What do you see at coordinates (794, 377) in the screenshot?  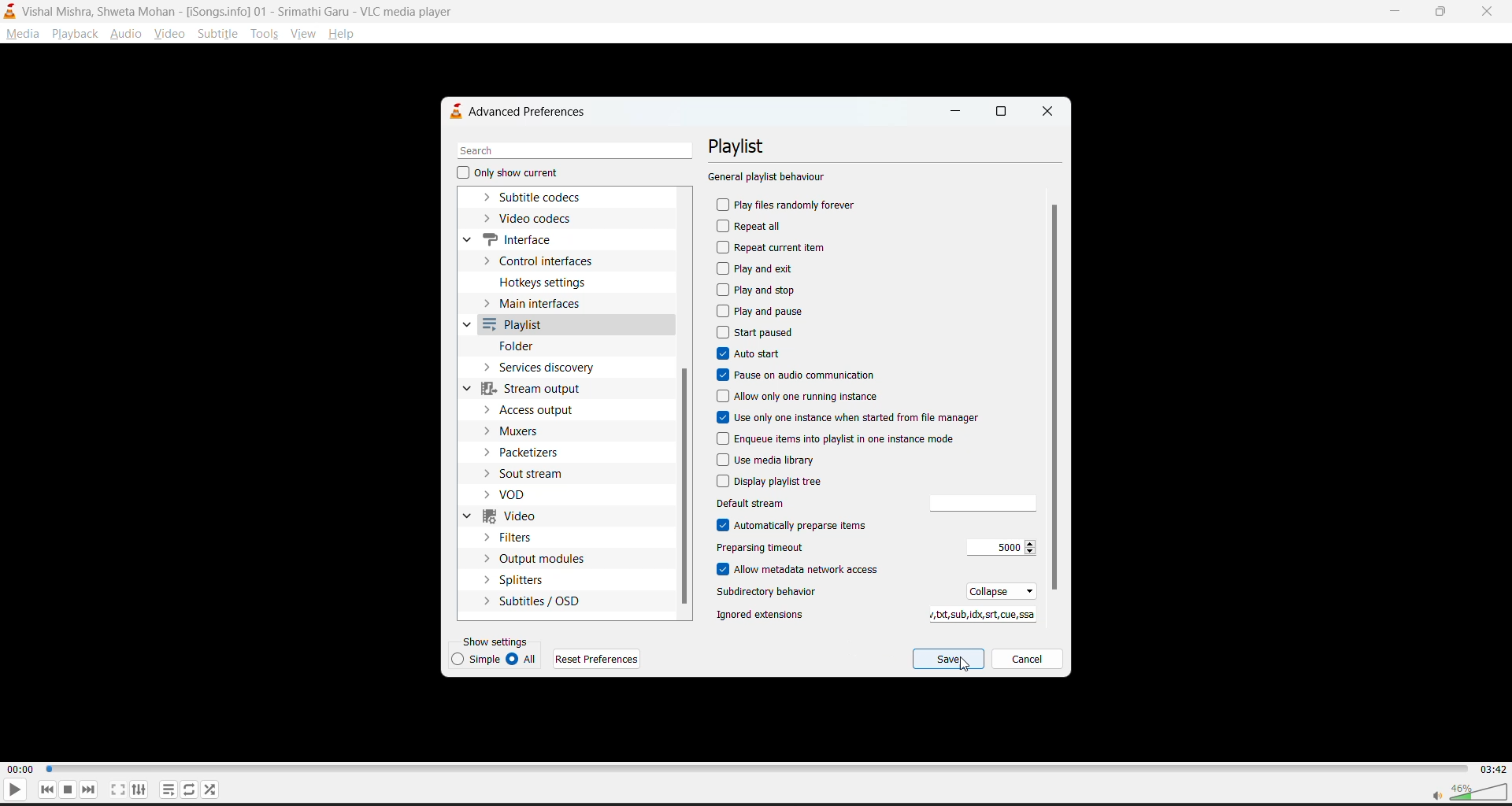 I see `pause on audio communication` at bounding box center [794, 377].